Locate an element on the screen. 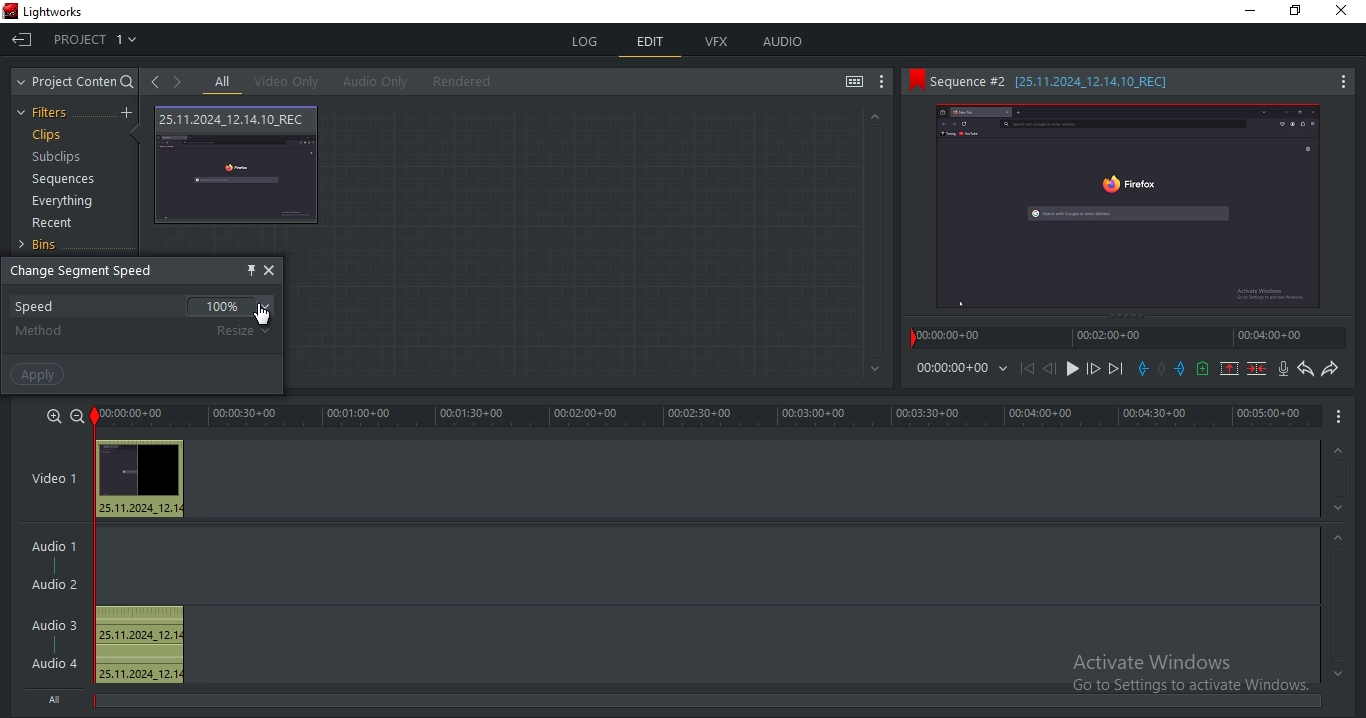 This screenshot has height=718, width=1366. nudge one frame forward is located at coordinates (1092, 369).